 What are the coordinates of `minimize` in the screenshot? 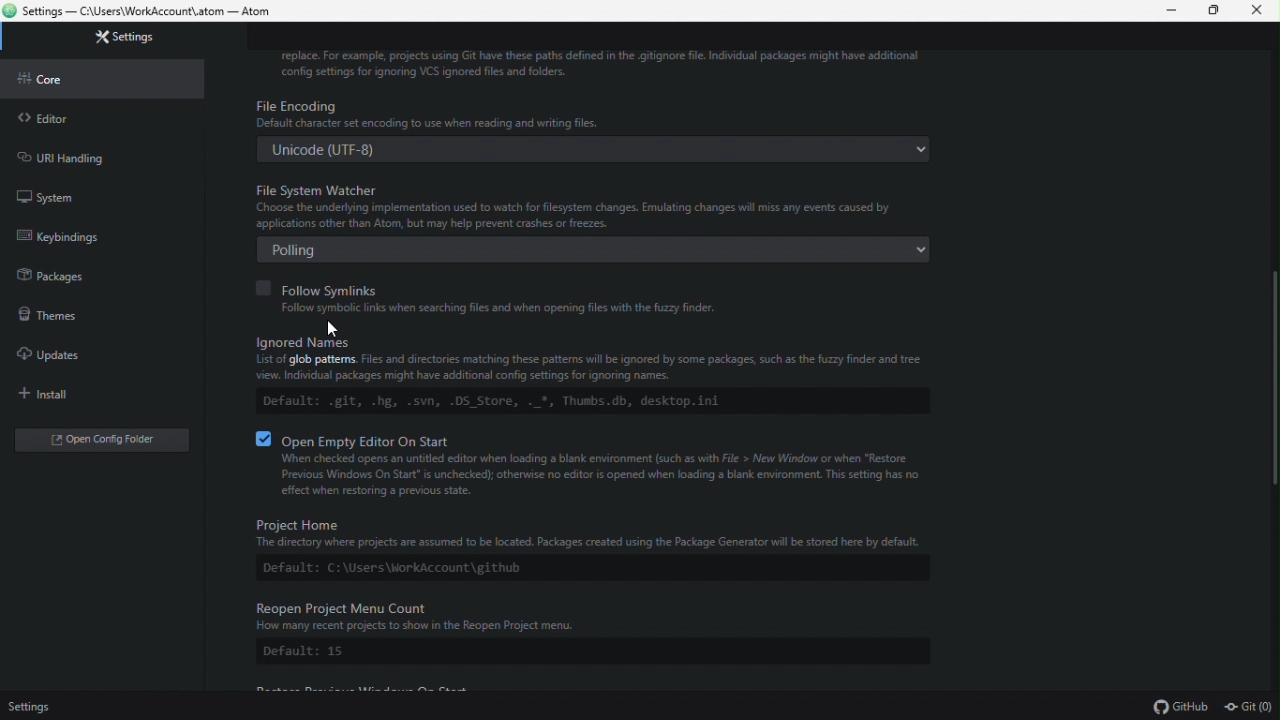 It's located at (1176, 11).